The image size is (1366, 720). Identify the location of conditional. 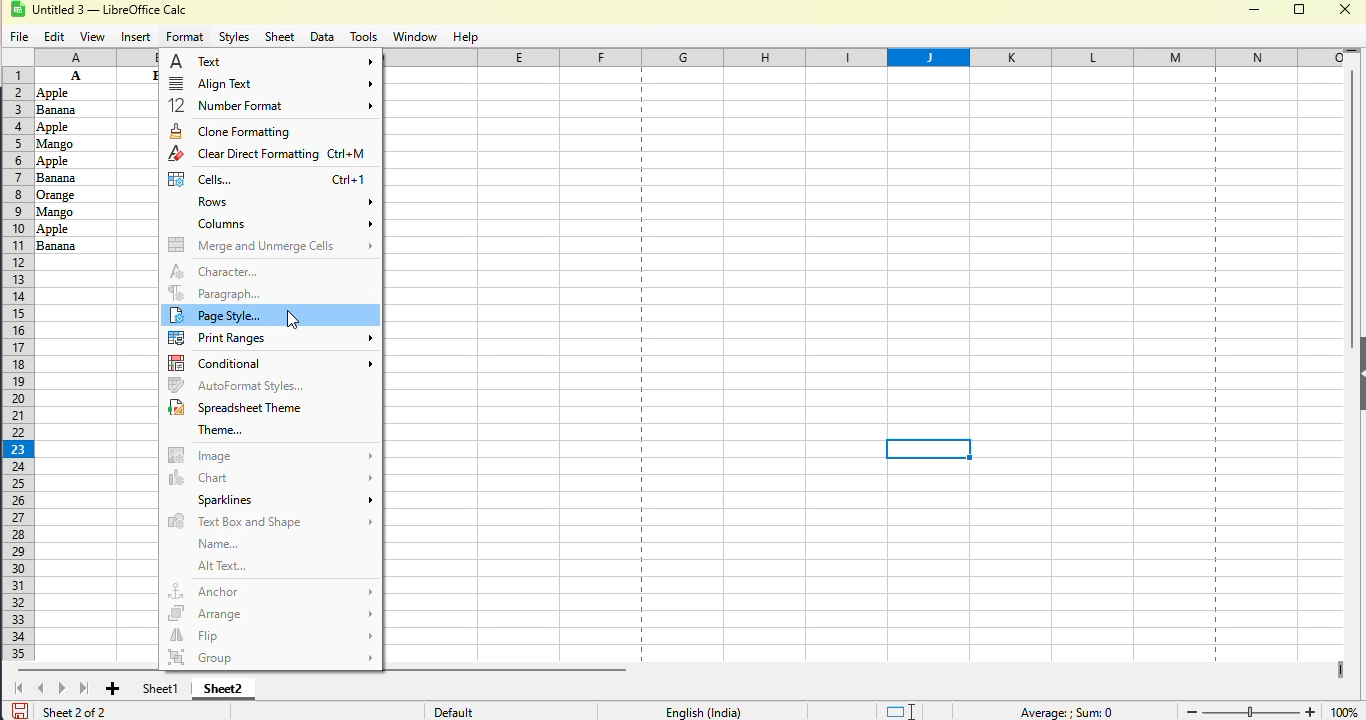
(271, 363).